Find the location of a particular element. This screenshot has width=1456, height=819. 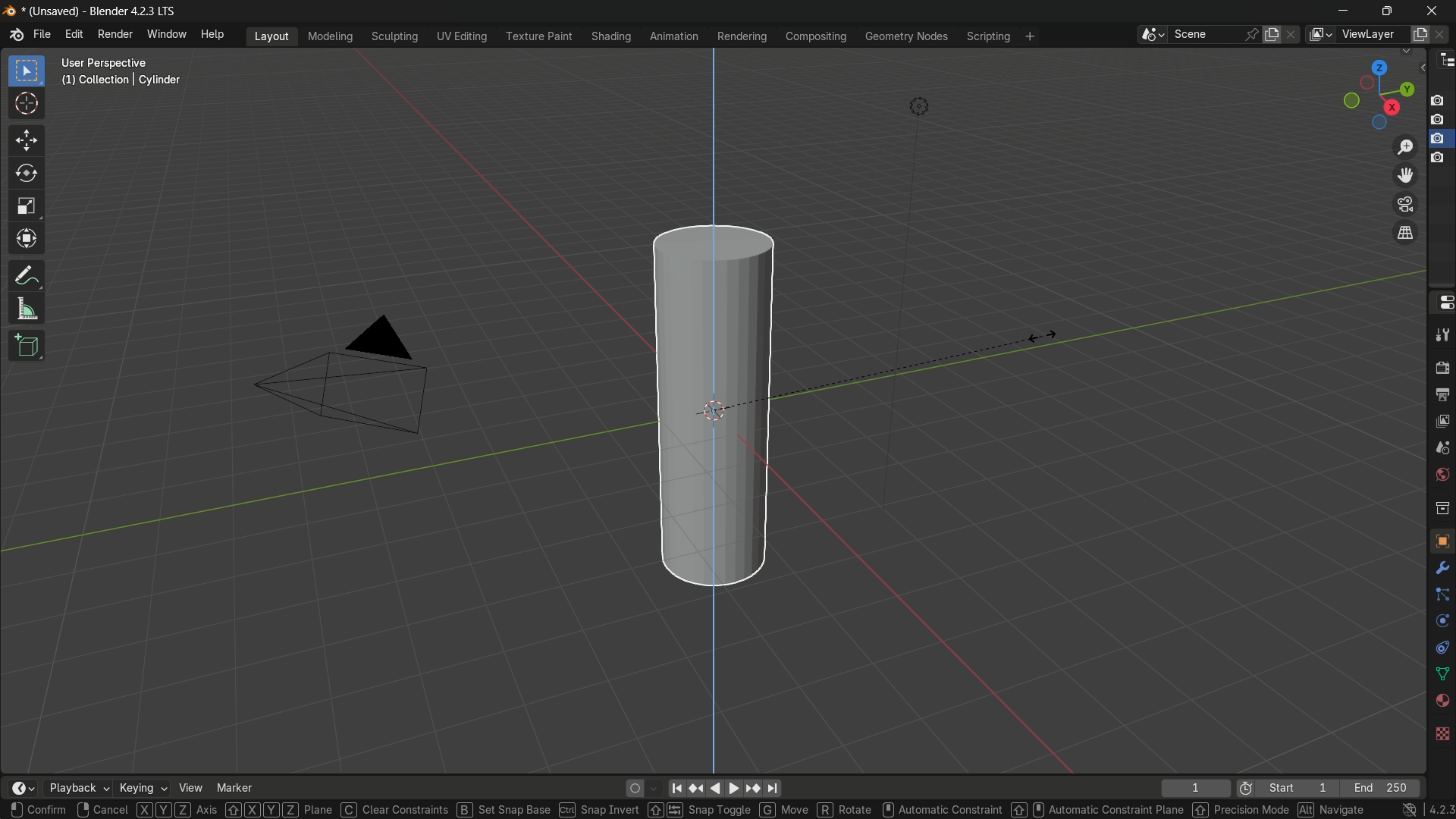

browse scenes is located at coordinates (1150, 35).